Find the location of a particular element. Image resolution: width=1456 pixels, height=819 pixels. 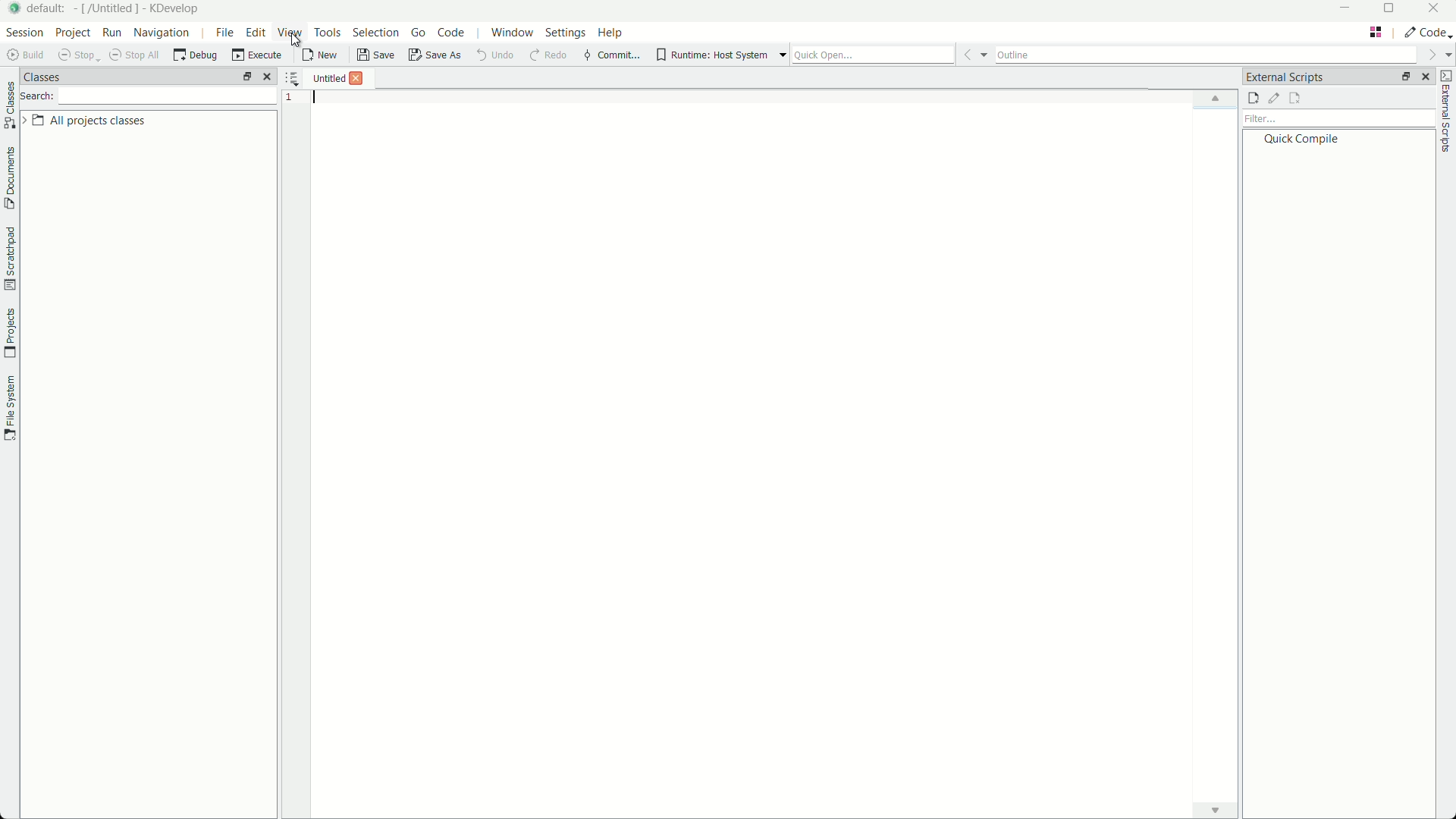

selection menu is located at coordinates (376, 32).